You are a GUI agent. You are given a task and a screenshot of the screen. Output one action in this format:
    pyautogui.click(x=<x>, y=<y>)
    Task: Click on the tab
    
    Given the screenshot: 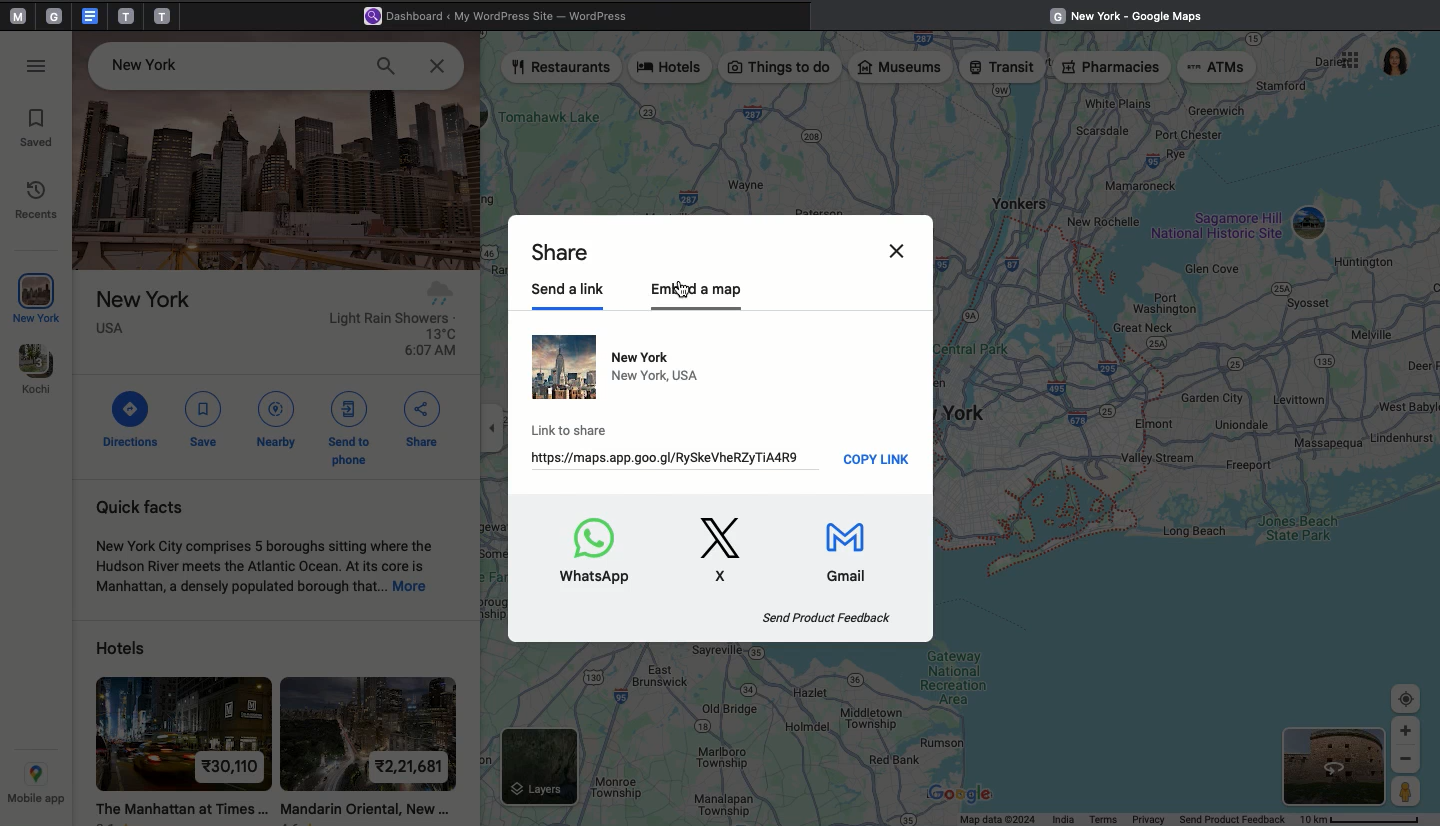 What is the action you would take?
    pyautogui.click(x=57, y=16)
    